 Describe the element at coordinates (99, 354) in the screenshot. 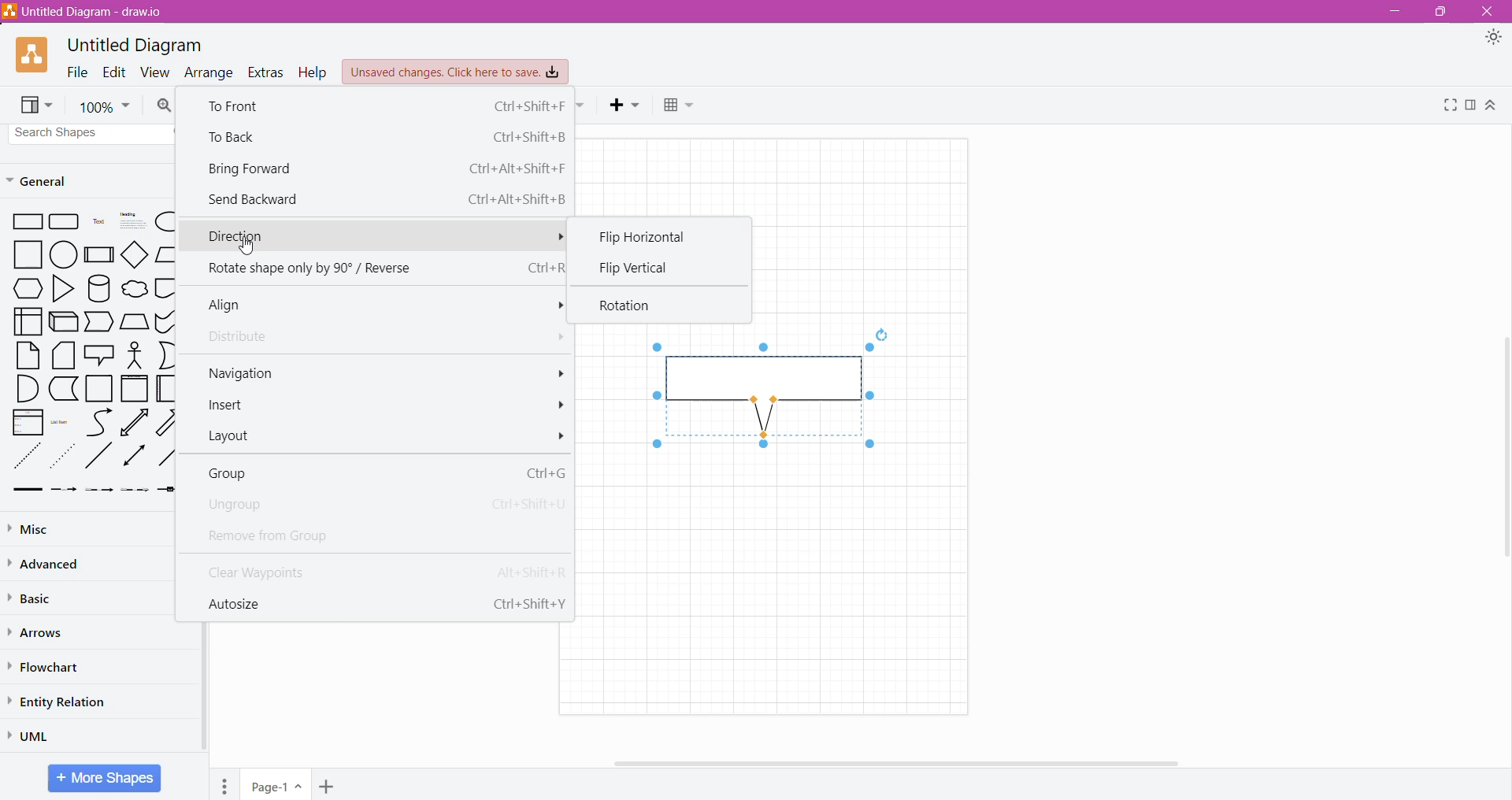

I see `Speech Bubble` at that location.